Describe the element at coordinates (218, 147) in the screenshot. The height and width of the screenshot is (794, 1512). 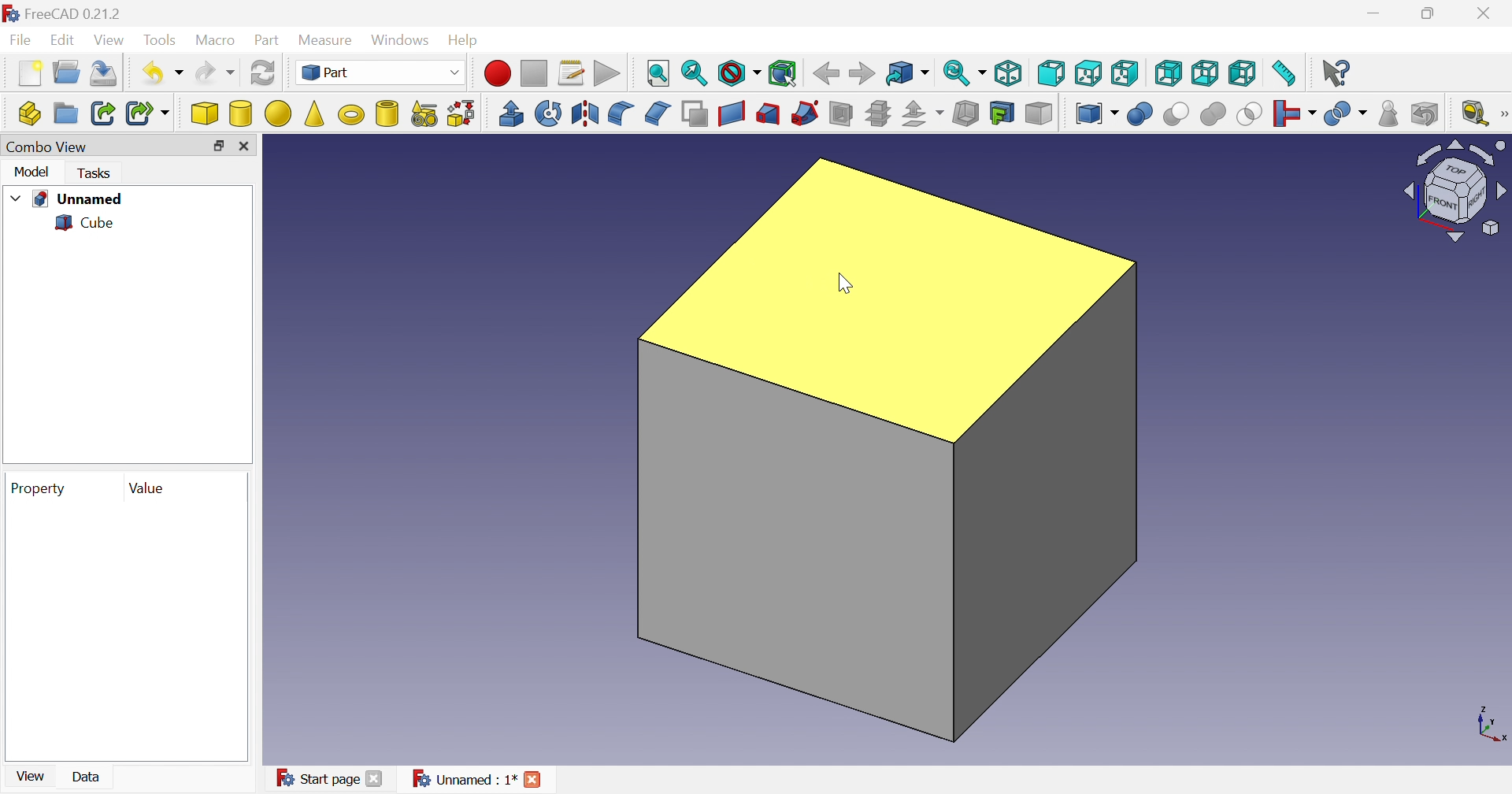
I see `Restore down` at that location.